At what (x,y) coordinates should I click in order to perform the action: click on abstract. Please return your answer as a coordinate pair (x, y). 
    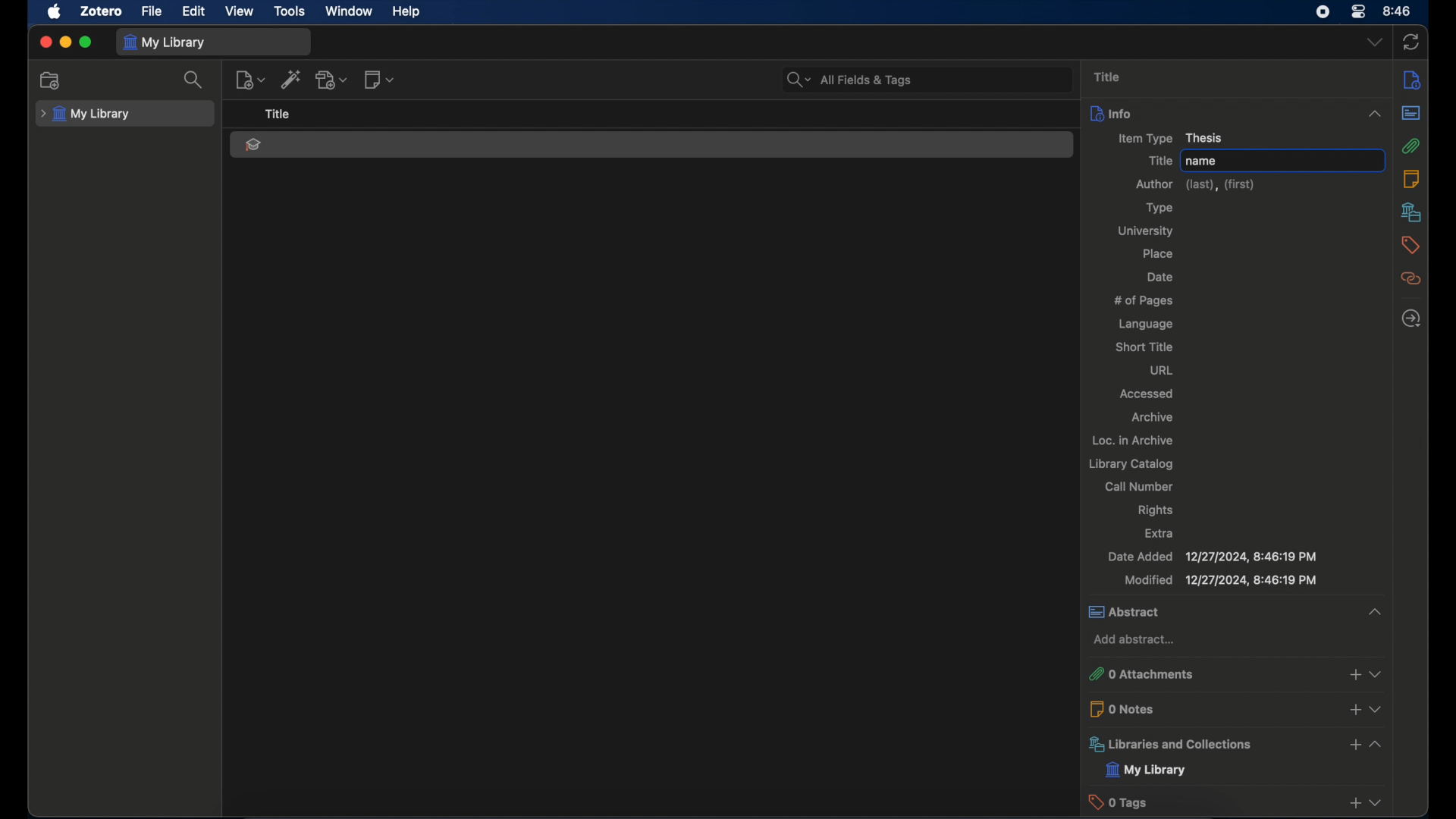
    Looking at the image, I should click on (1211, 611).